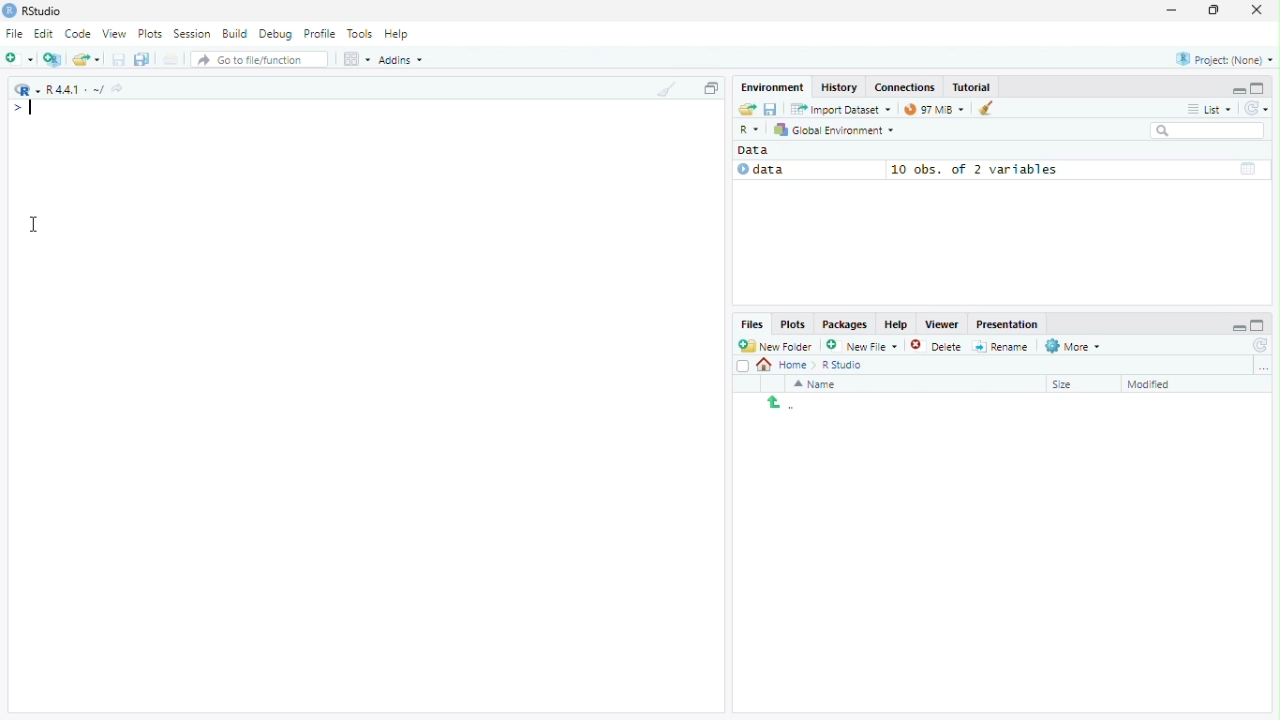  Describe the element at coordinates (759, 150) in the screenshot. I see `Data` at that location.